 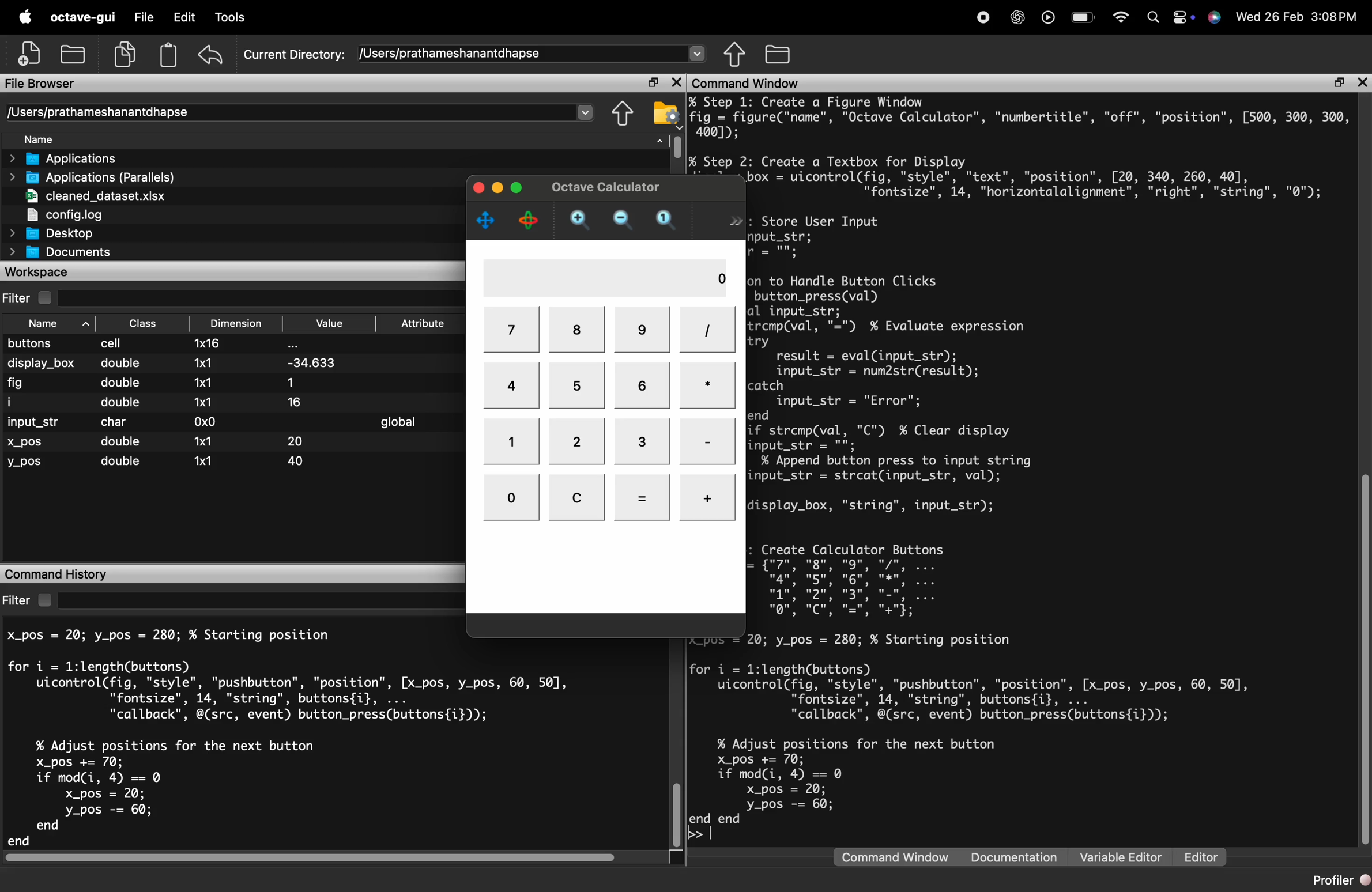 What do you see at coordinates (497, 187) in the screenshot?
I see `minimize` at bounding box center [497, 187].